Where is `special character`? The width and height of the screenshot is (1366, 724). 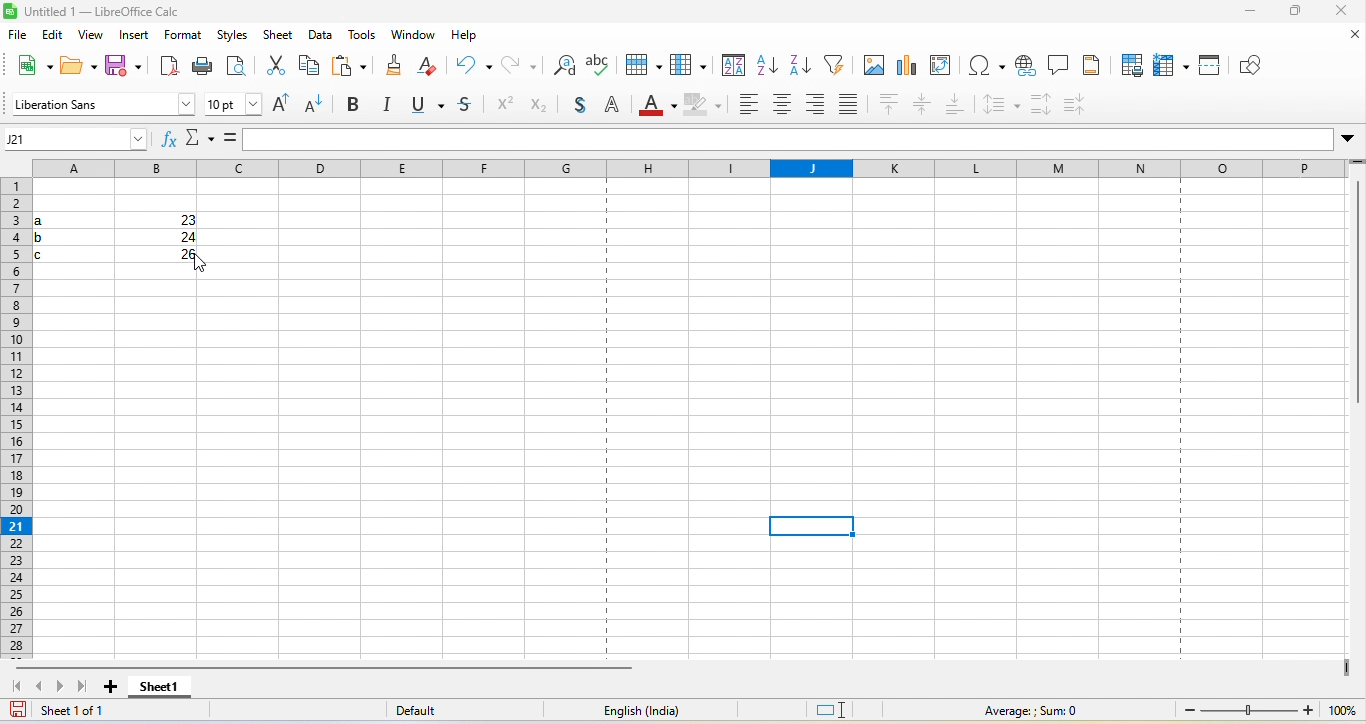 special character is located at coordinates (984, 66).